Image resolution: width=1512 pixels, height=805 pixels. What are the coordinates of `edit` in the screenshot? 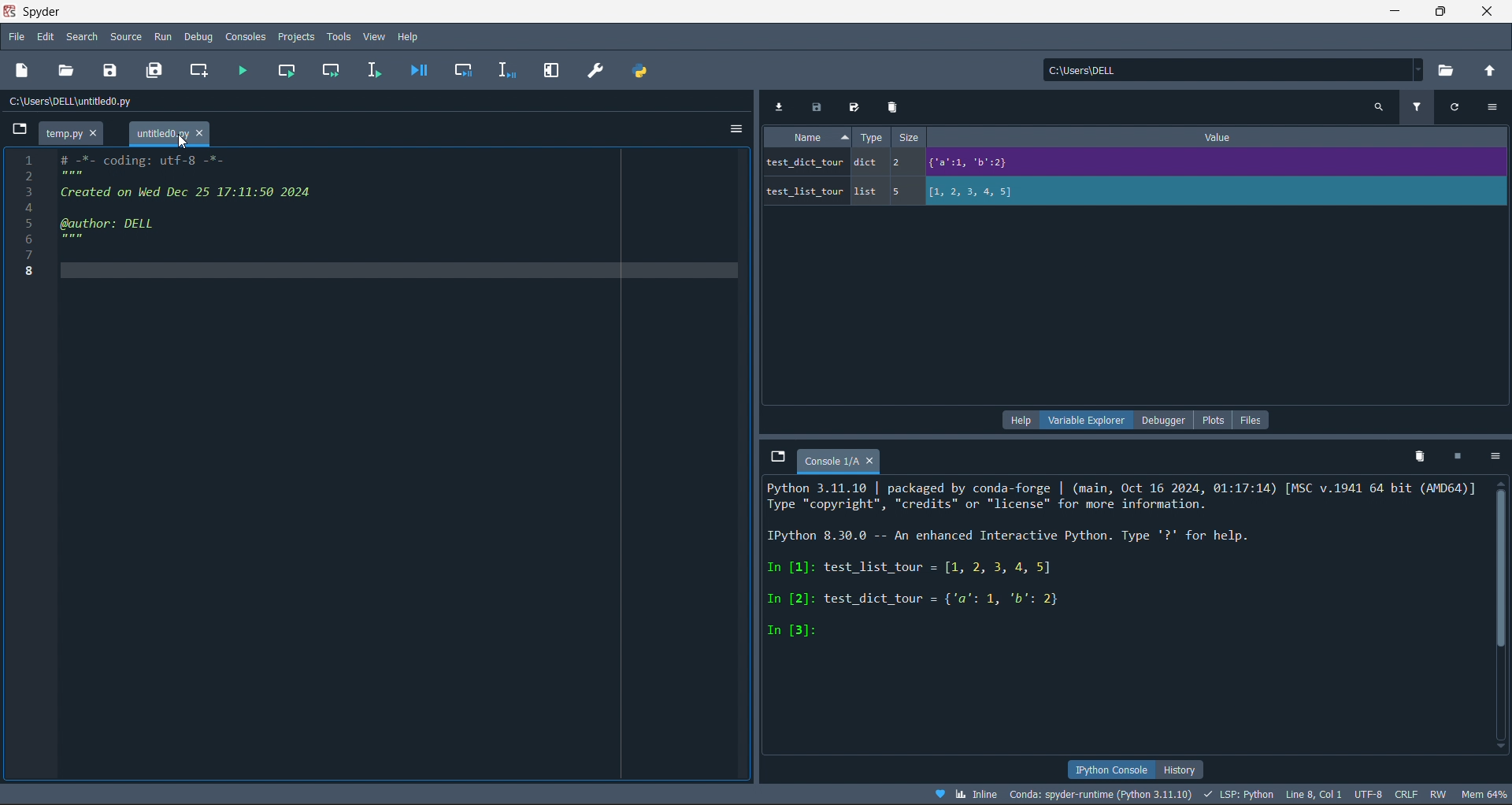 It's located at (46, 38).